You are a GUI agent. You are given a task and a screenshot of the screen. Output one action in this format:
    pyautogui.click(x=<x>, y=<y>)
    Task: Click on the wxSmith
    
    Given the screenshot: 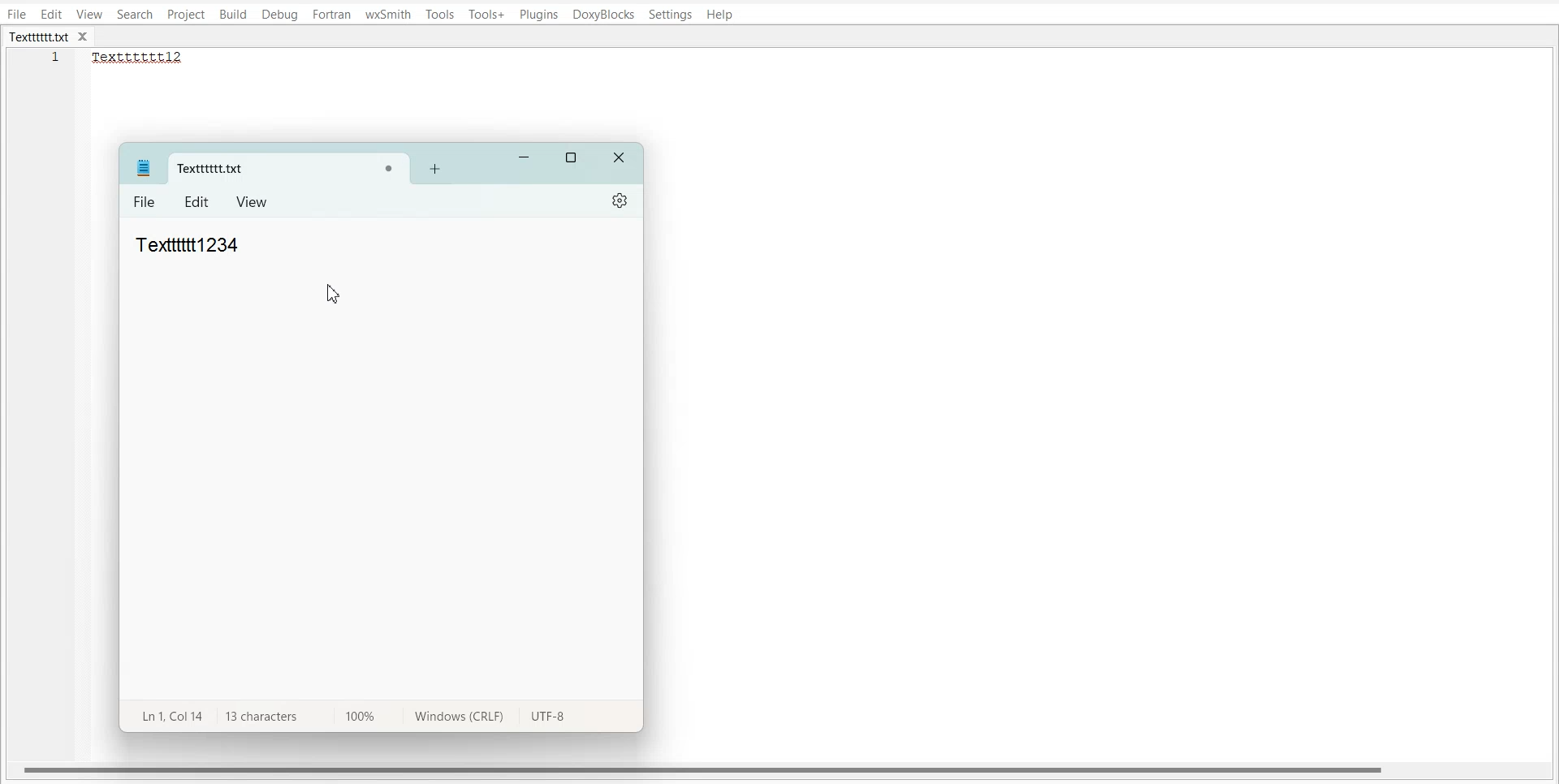 What is the action you would take?
    pyautogui.click(x=389, y=14)
    